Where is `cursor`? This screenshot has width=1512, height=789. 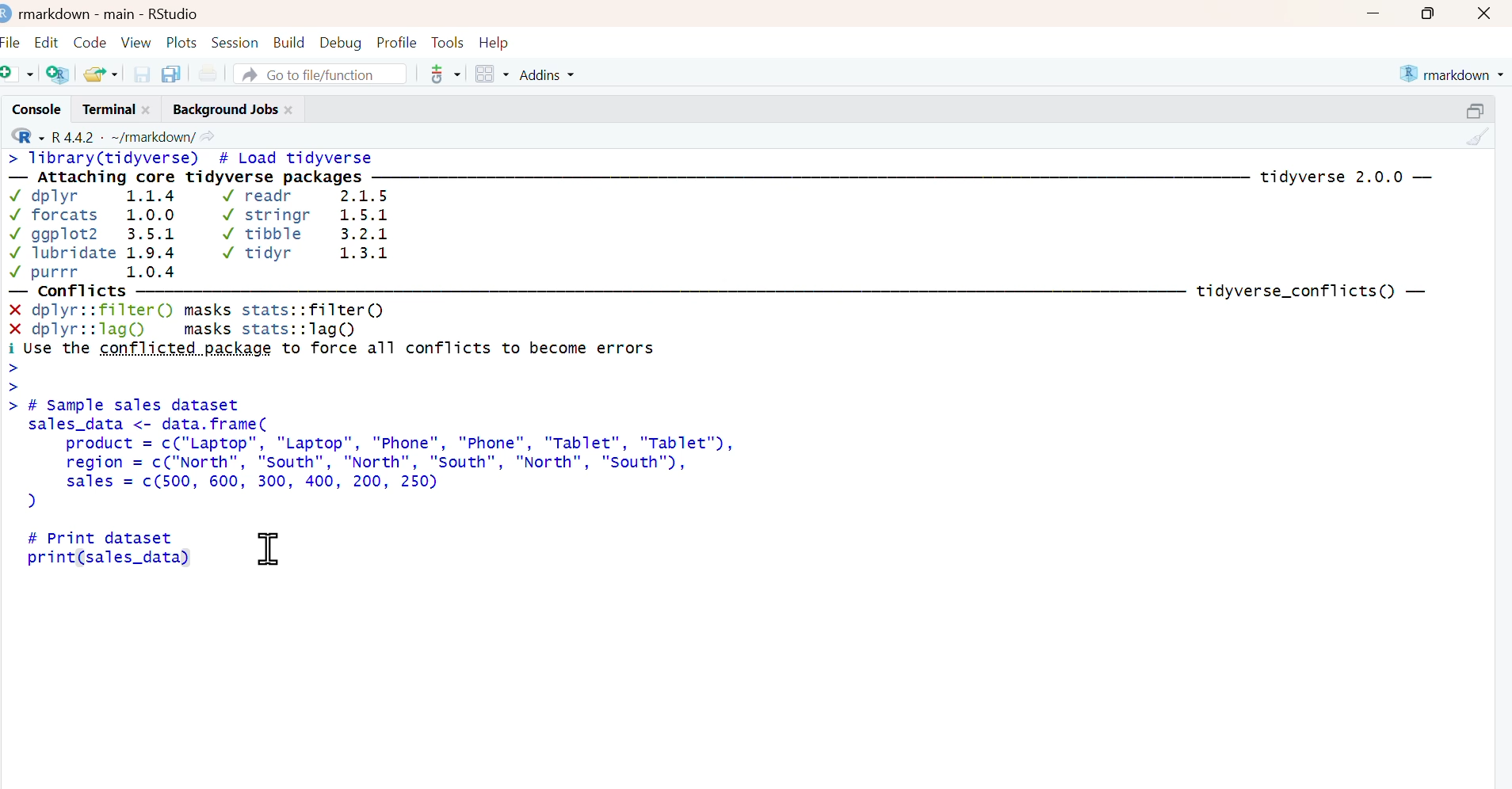
cursor is located at coordinates (269, 549).